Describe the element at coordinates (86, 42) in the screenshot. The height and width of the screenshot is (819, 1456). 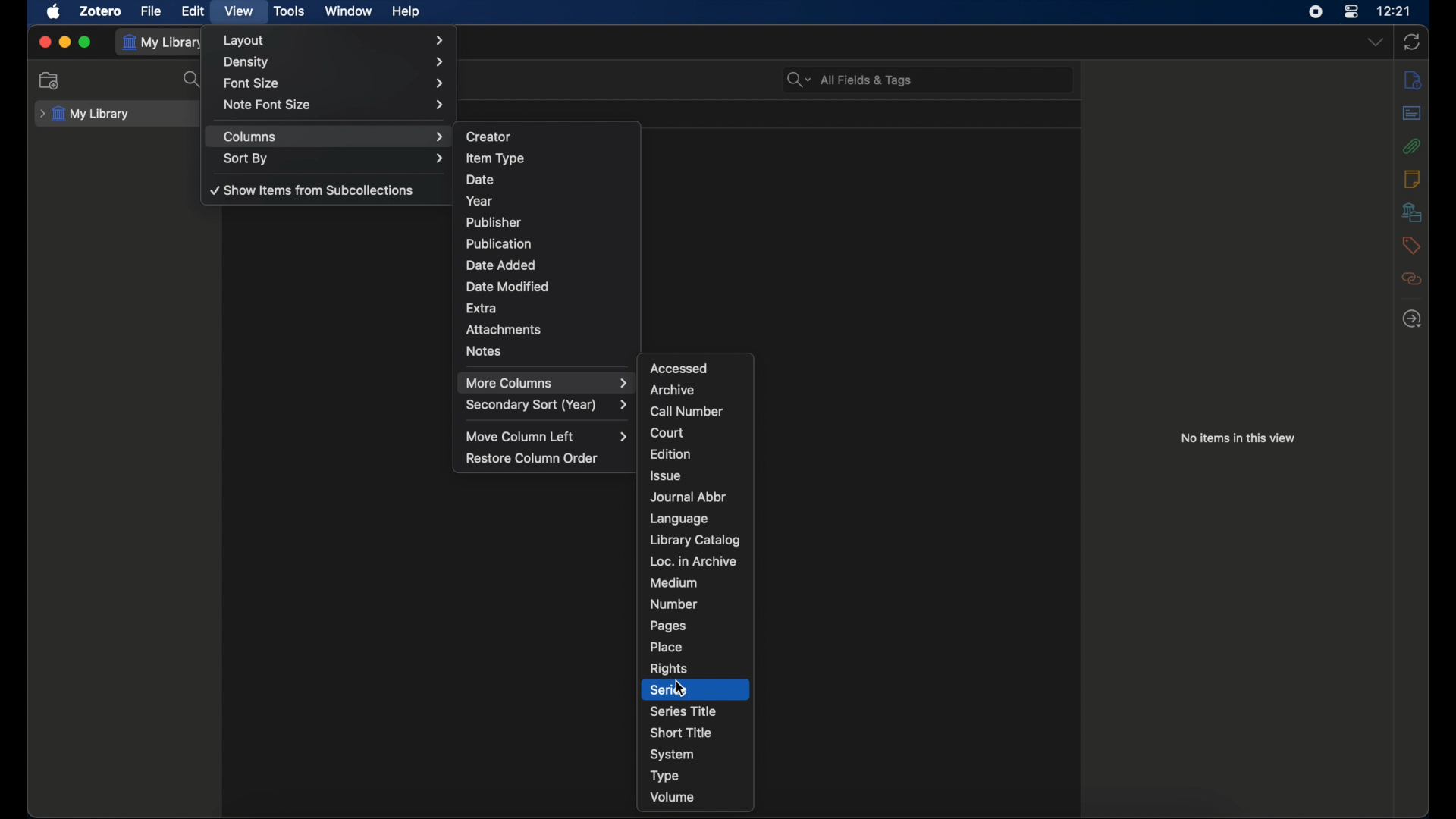
I see `maximize` at that location.